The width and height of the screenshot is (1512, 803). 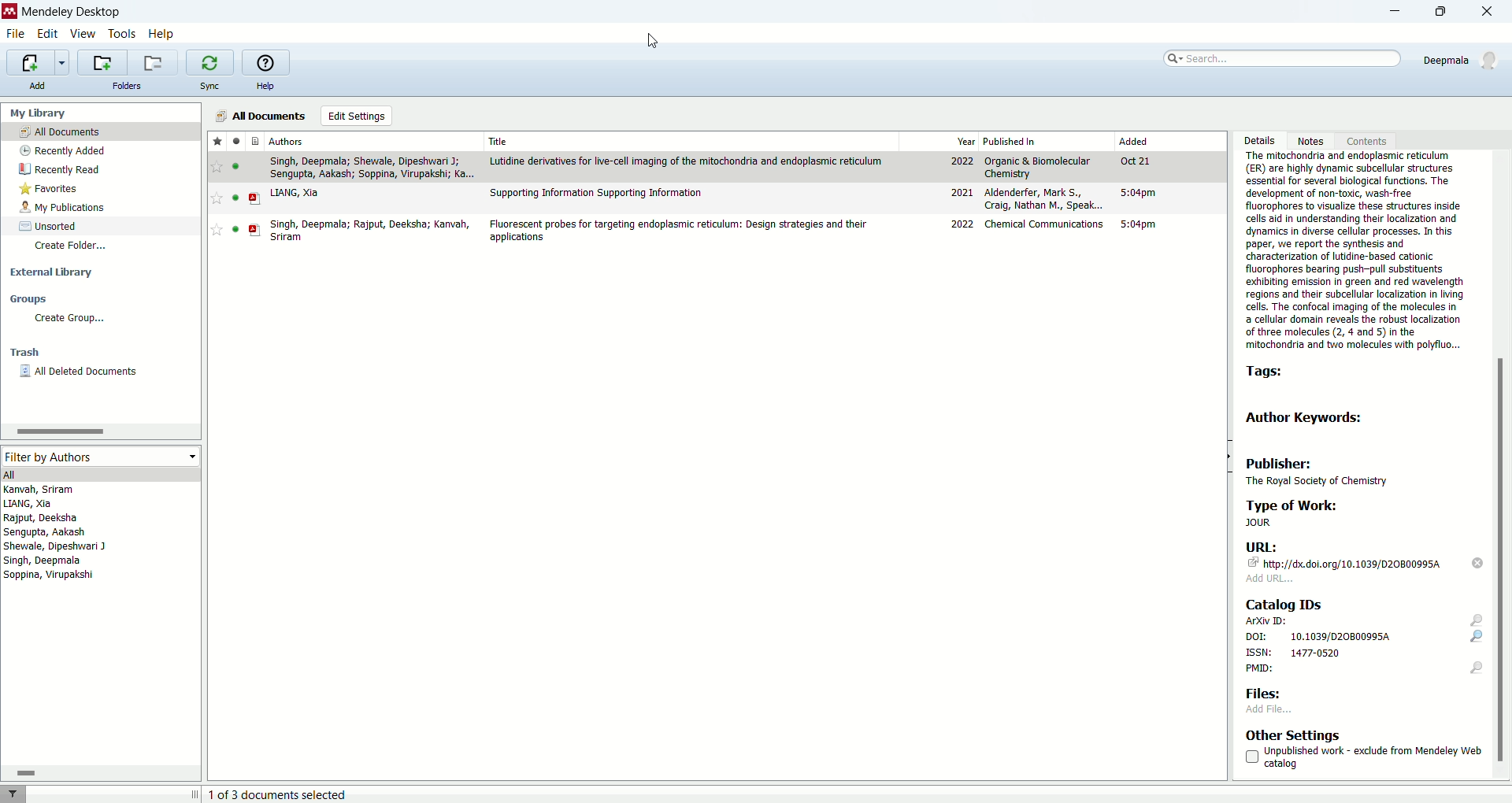 I want to click on Lutidine derivatives for live-cell imaging of the mitochondria and endoplasmic reticulum, so click(x=687, y=161).